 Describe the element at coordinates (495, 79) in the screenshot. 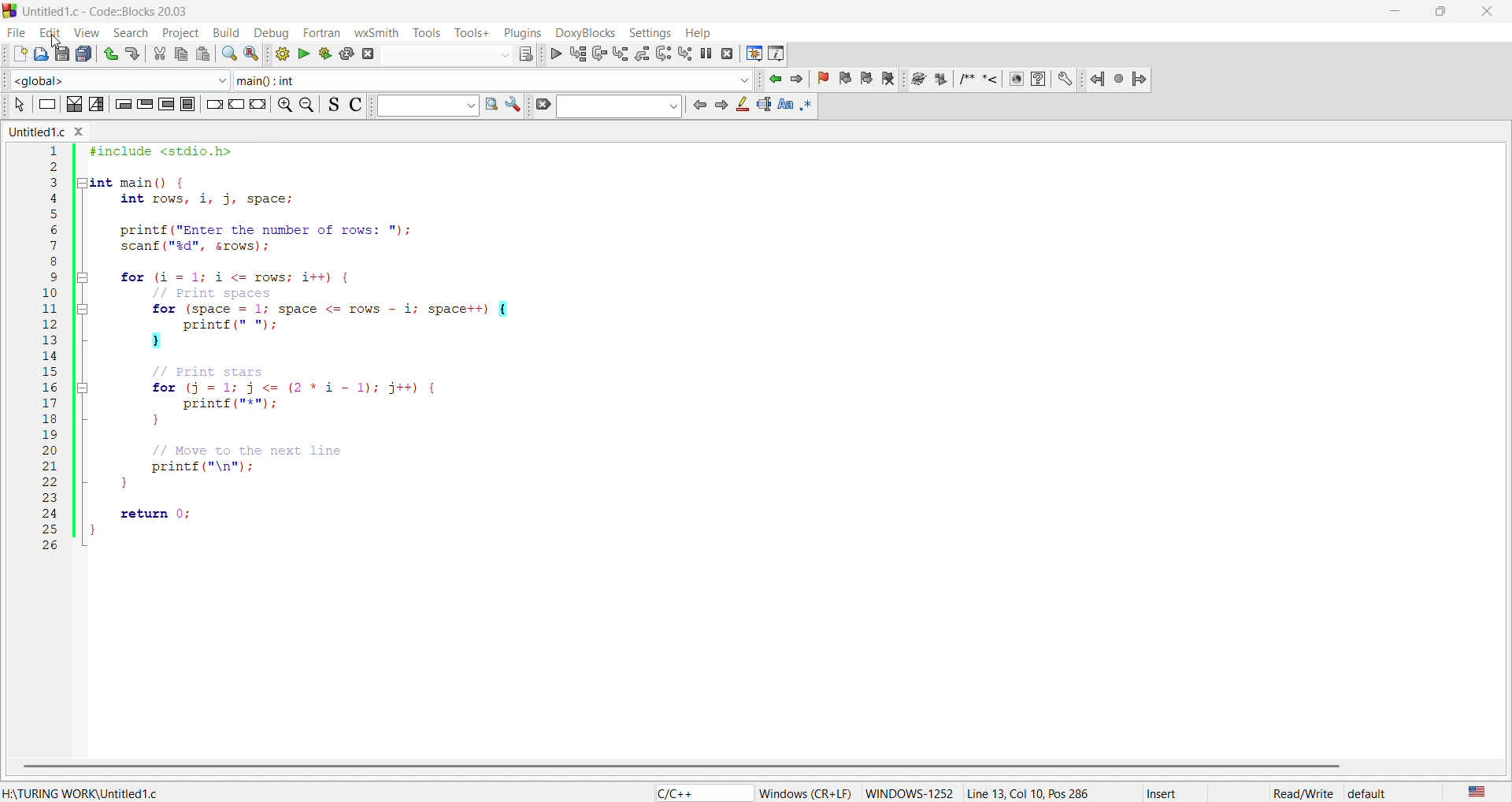

I see `function name` at that location.